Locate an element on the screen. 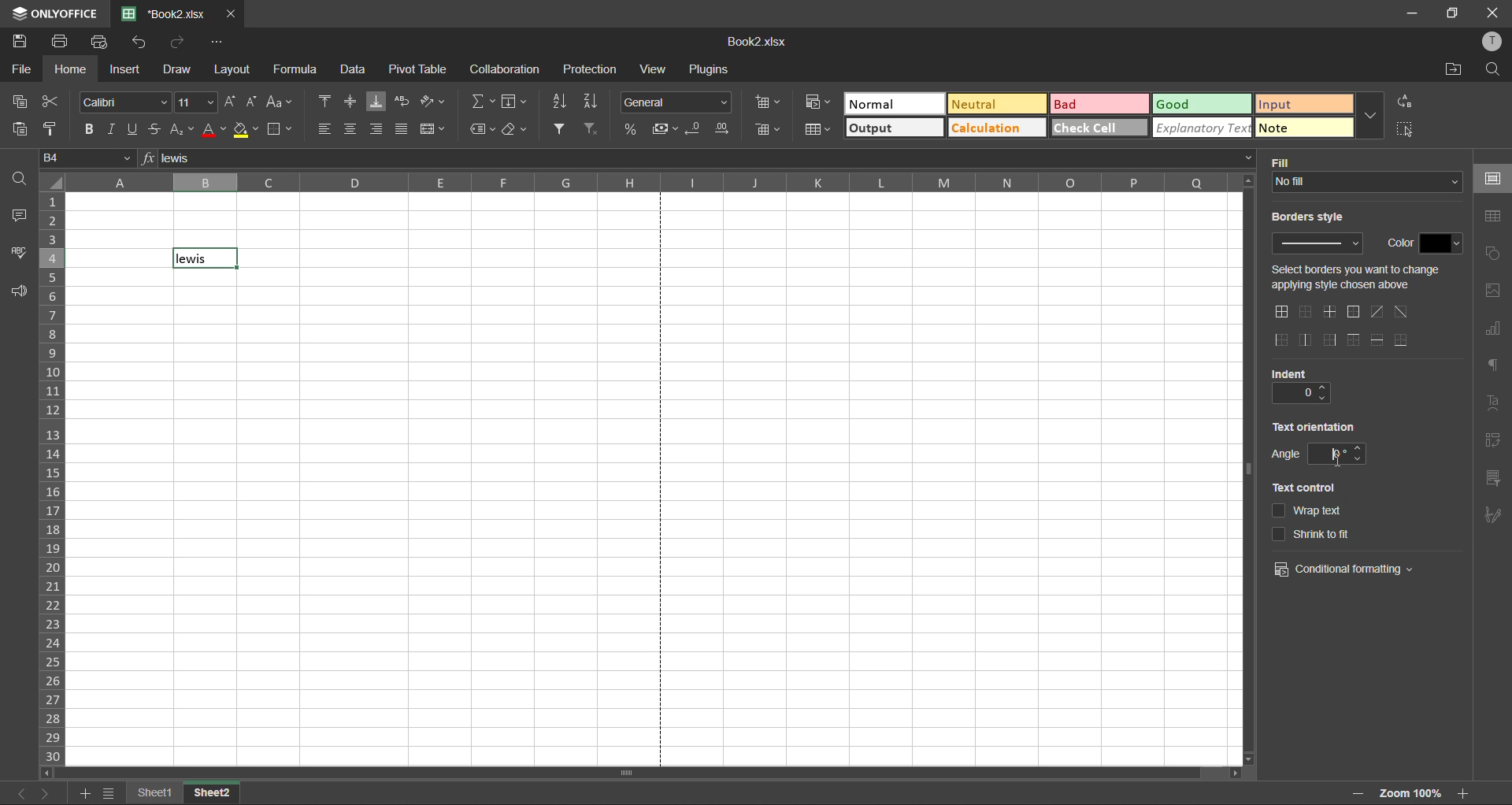 The image size is (1512, 805). named ranges is located at coordinates (483, 128).